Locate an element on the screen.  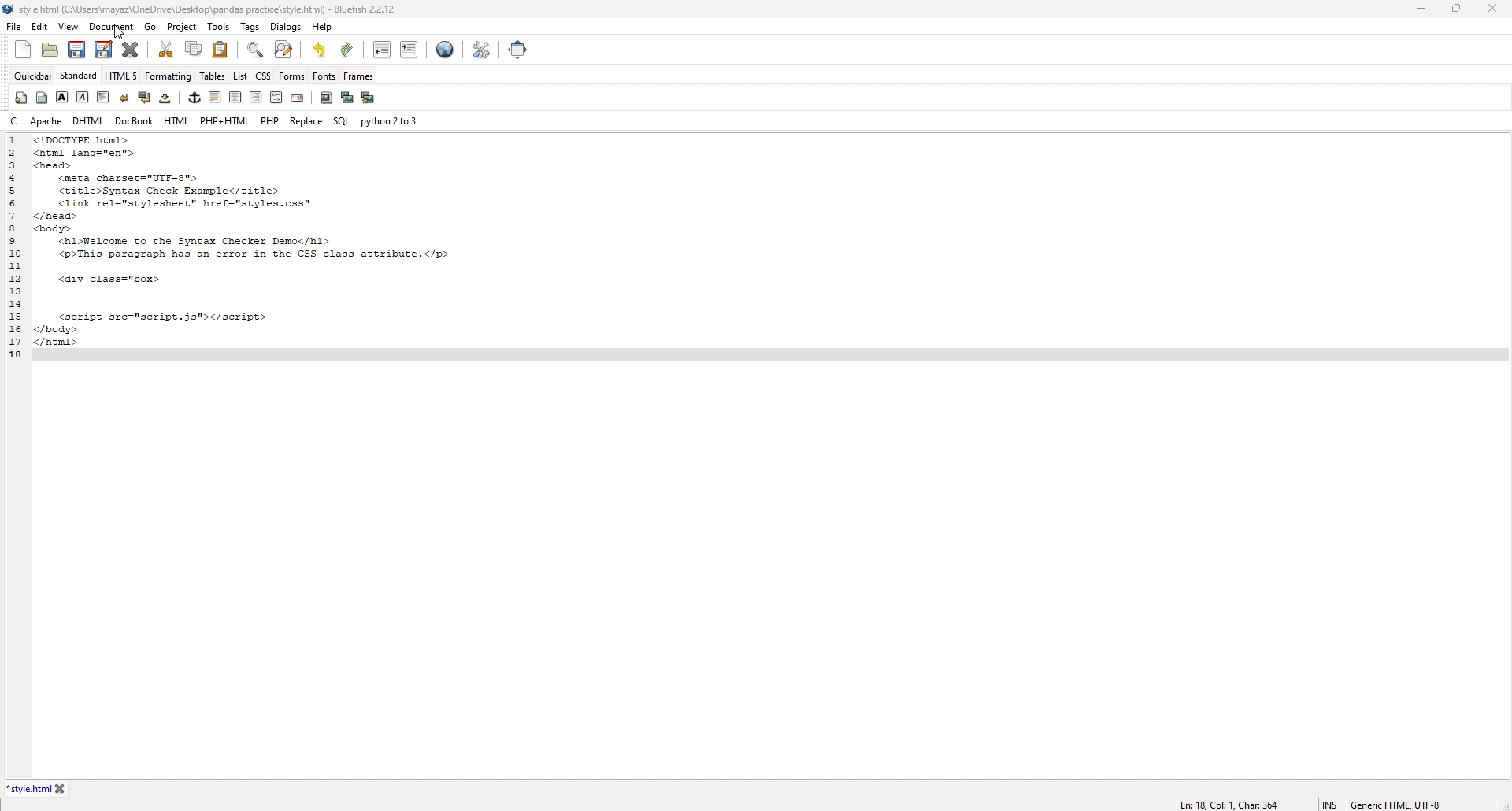
frames is located at coordinates (369, 76).